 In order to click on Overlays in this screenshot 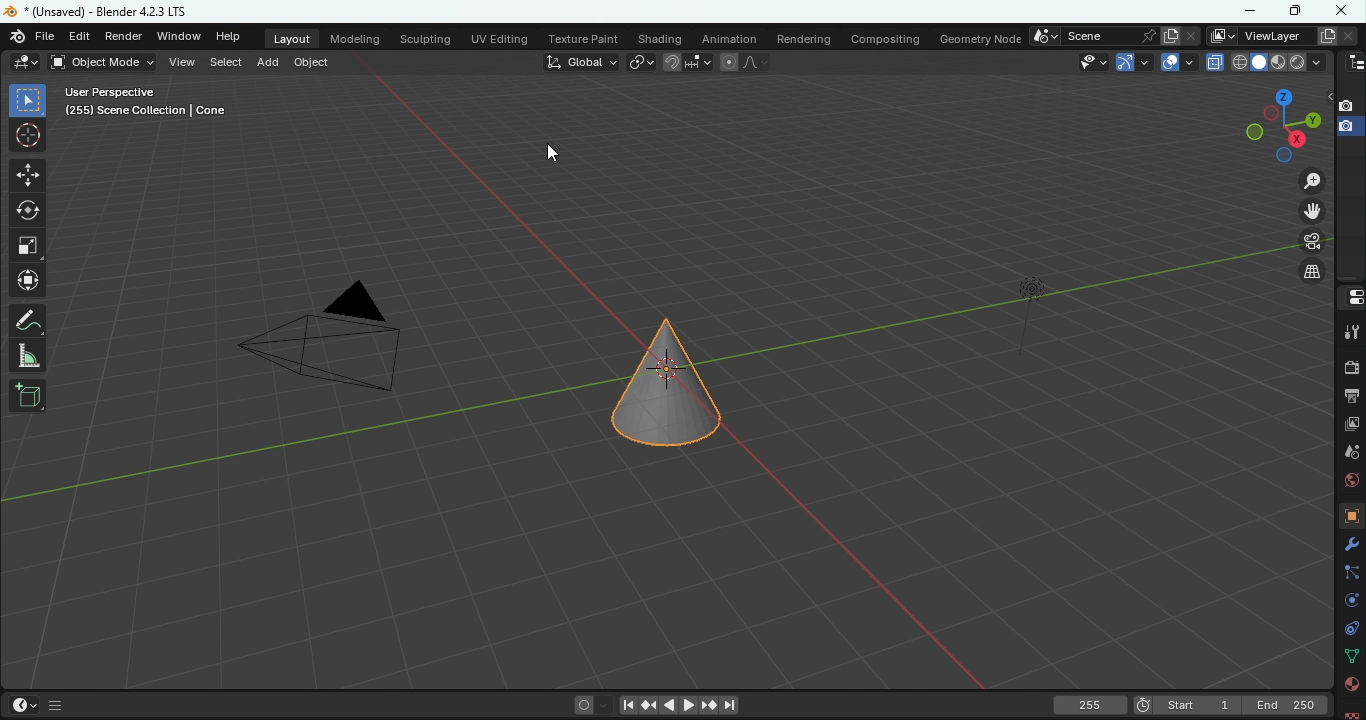, I will do `click(1189, 62)`.